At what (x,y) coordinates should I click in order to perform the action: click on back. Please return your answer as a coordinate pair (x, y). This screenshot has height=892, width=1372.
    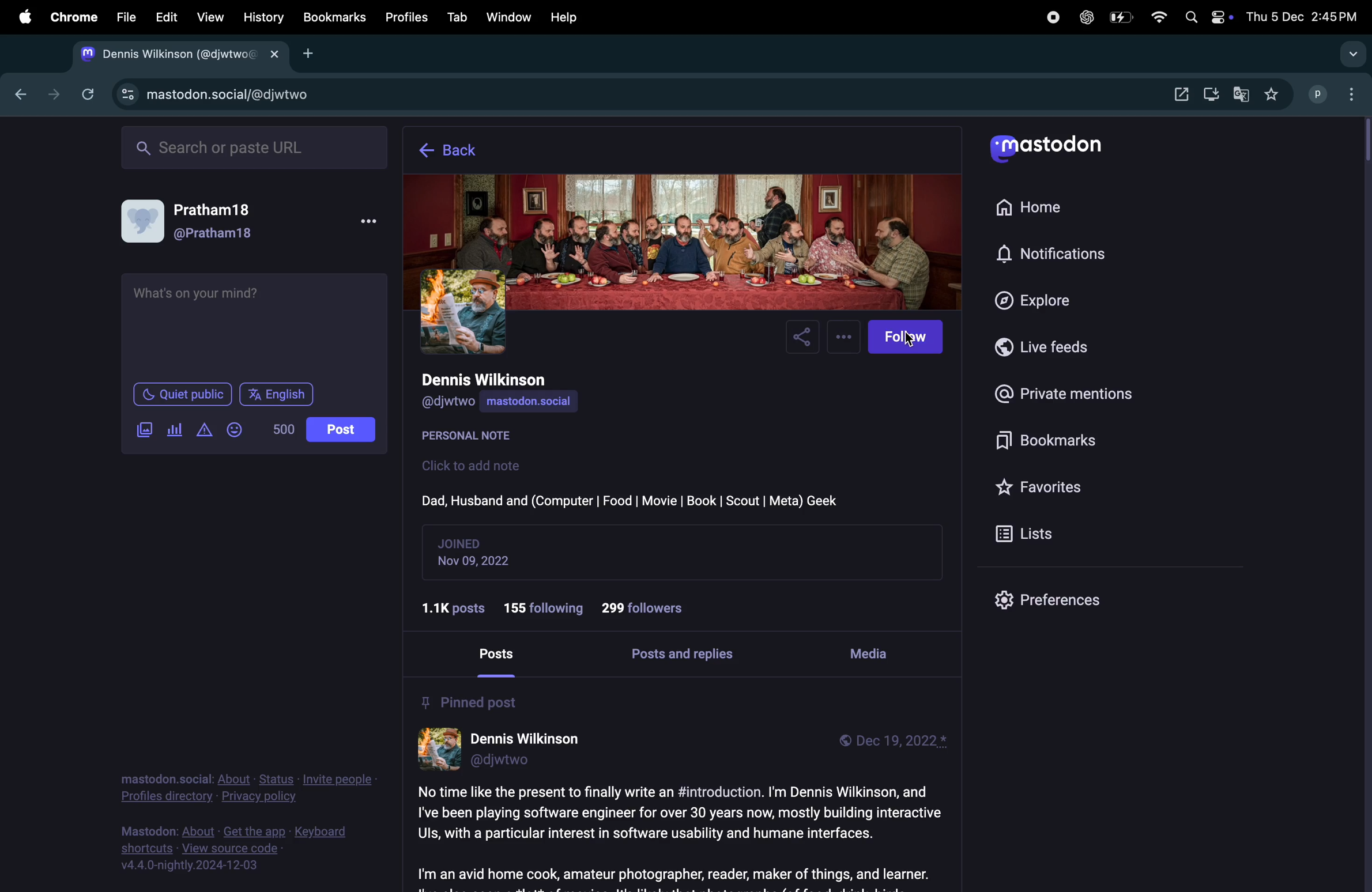
    Looking at the image, I should click on (457, 151).